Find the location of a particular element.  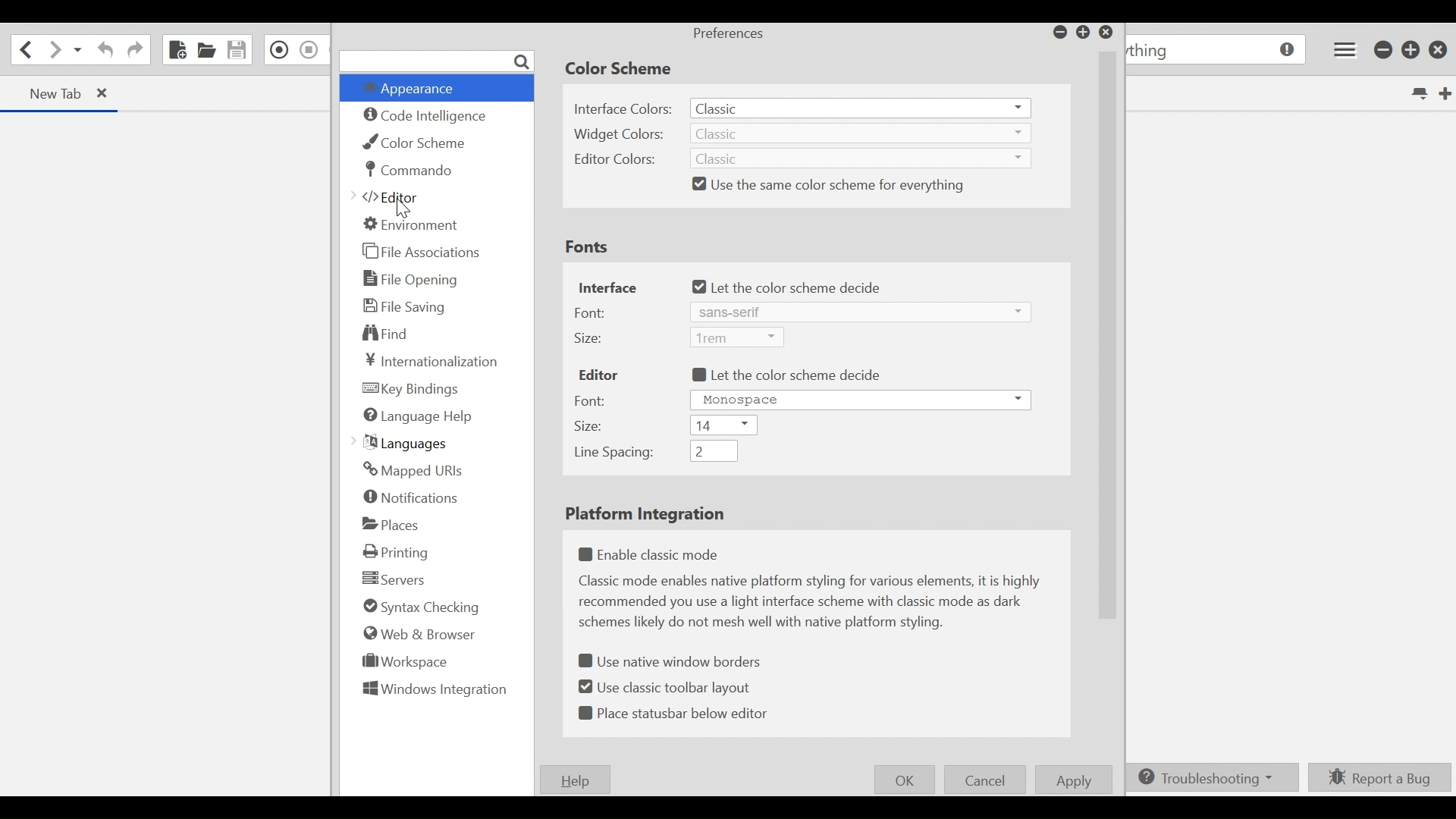

Font is located at coordinates (589, 312).